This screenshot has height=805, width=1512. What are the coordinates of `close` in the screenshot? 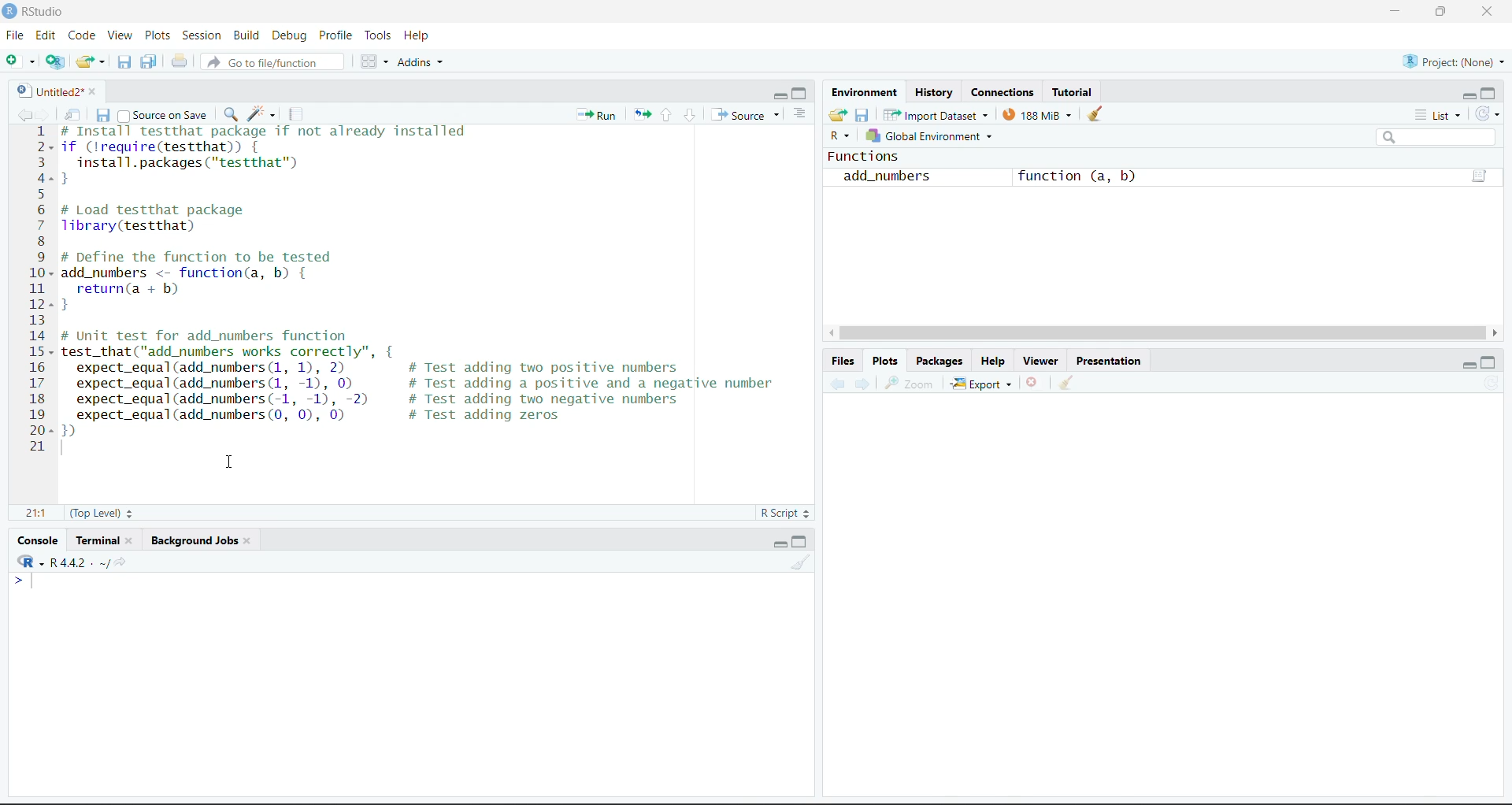 It's located at (249, 539).